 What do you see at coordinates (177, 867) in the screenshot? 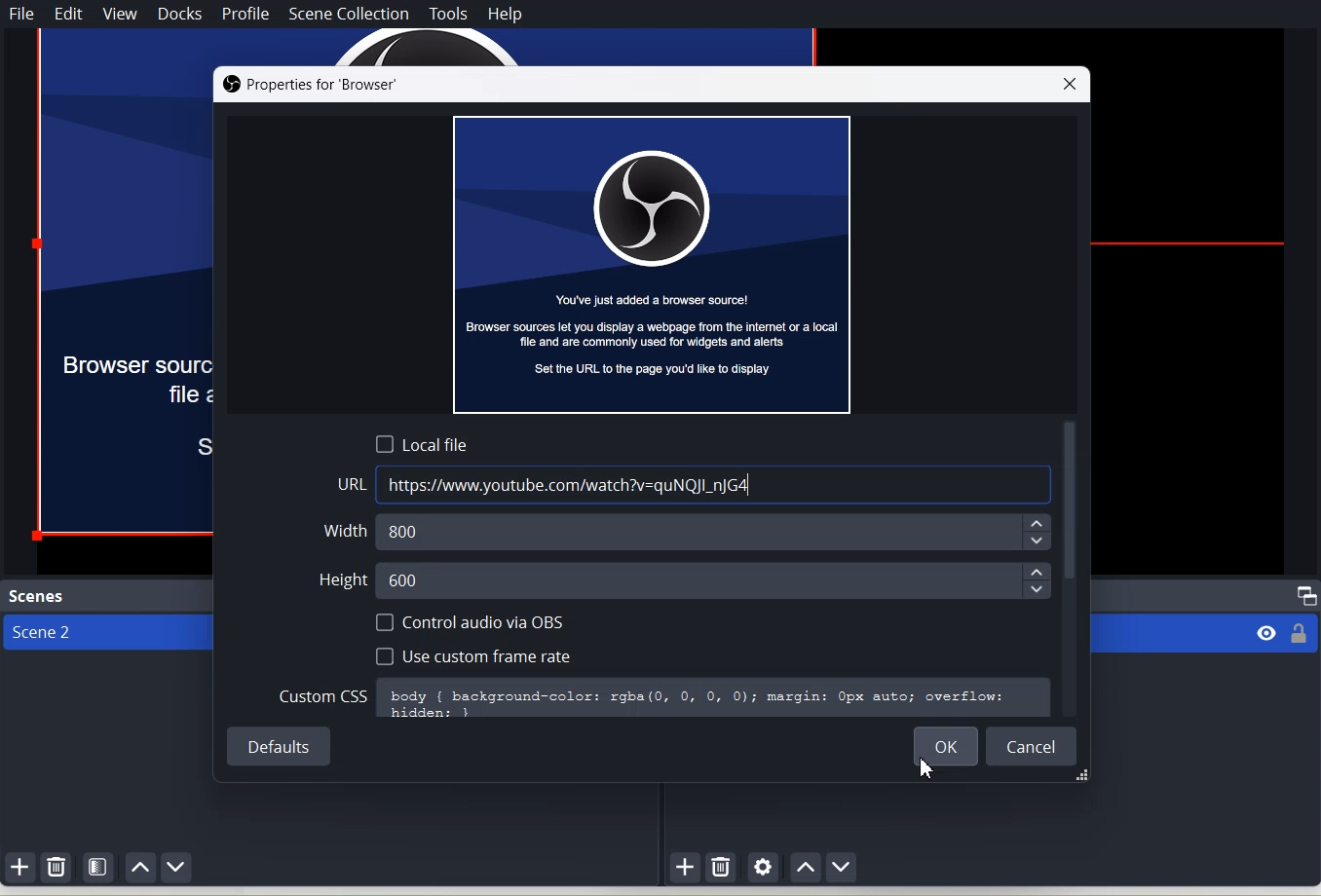
I see `Move scene Down` at bounding box center [177, 867].